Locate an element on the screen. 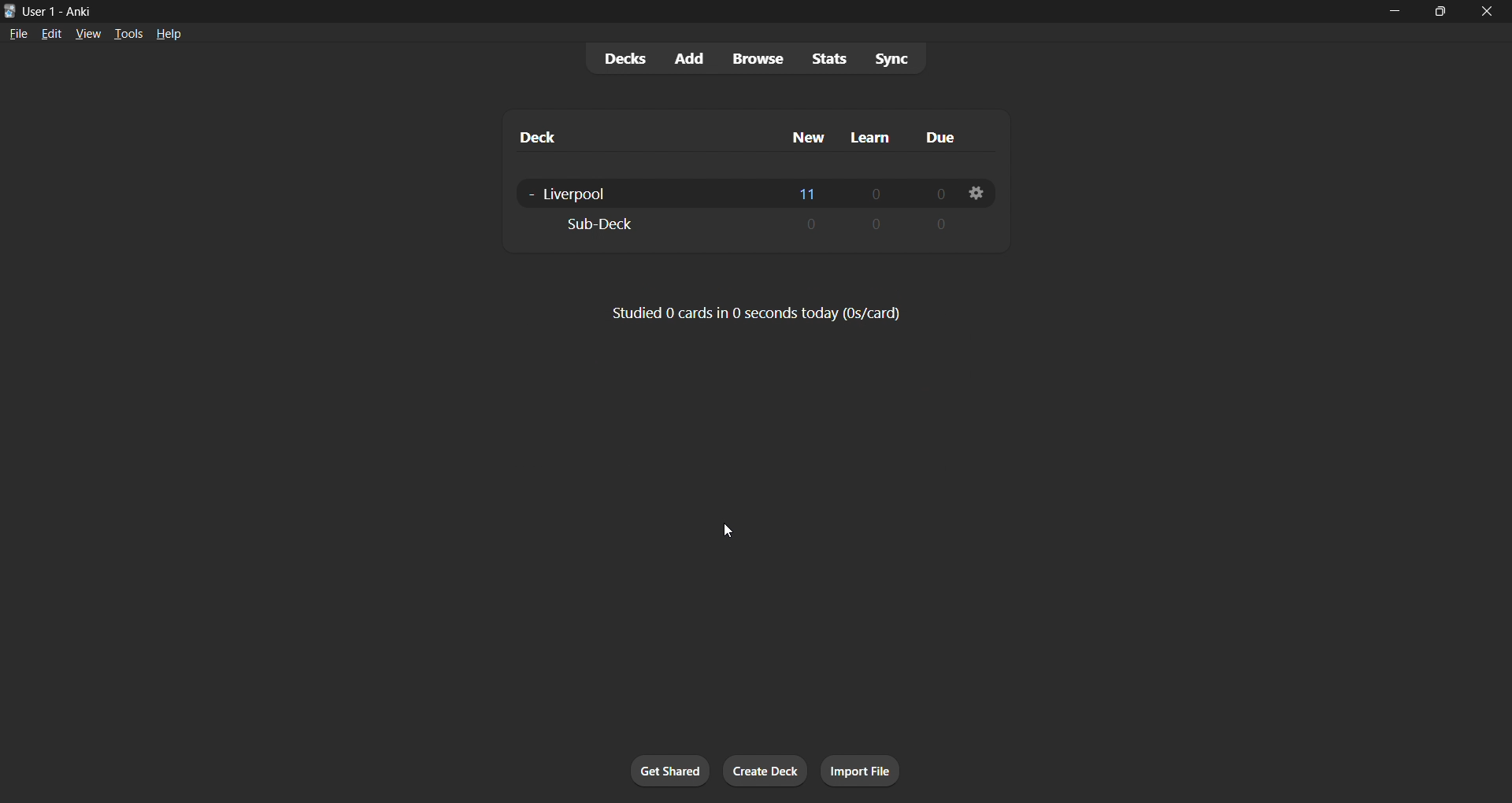  add is located at coordinates (685, 56).